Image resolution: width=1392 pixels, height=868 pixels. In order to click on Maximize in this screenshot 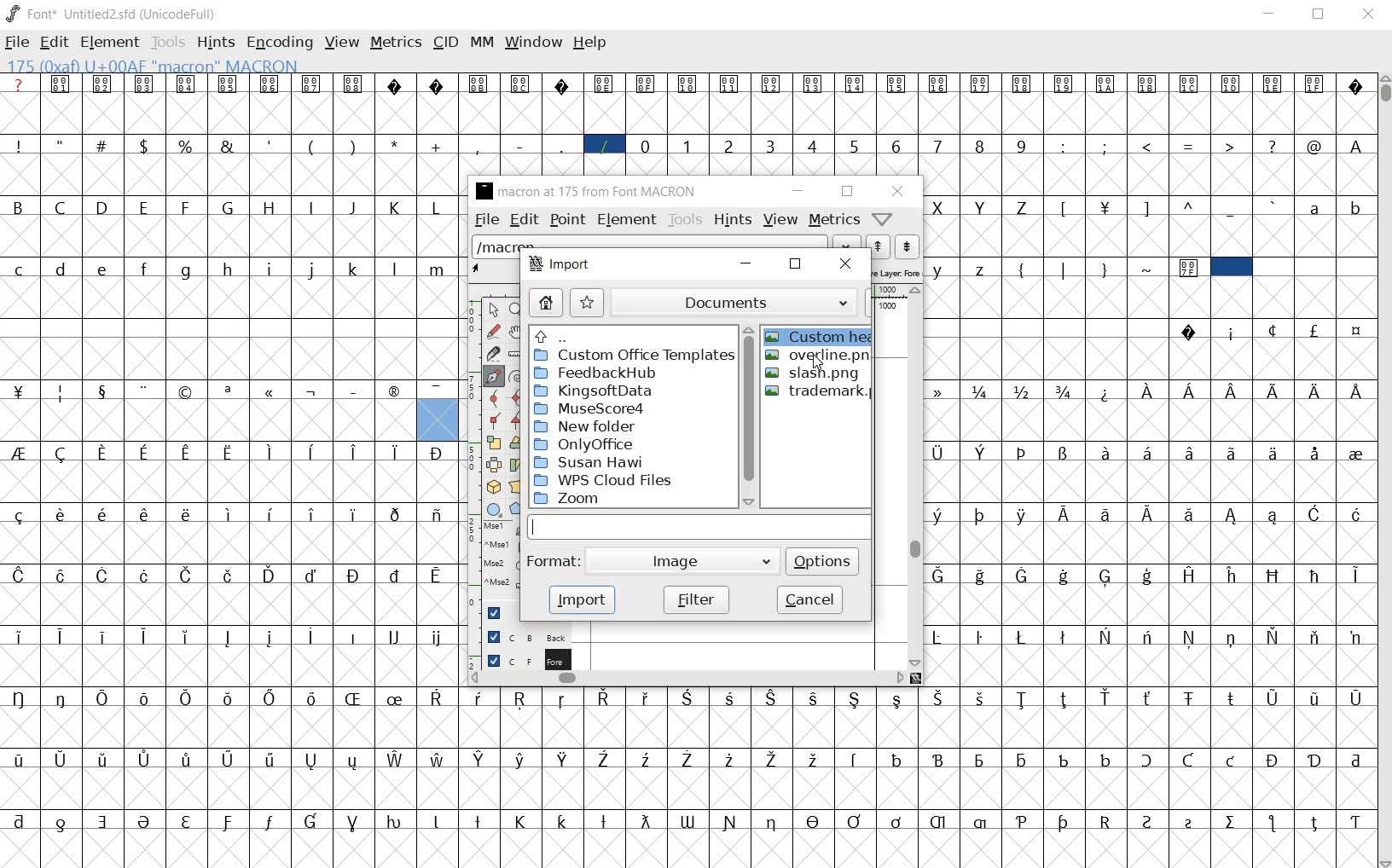, I will do `click(1322, 17)`.